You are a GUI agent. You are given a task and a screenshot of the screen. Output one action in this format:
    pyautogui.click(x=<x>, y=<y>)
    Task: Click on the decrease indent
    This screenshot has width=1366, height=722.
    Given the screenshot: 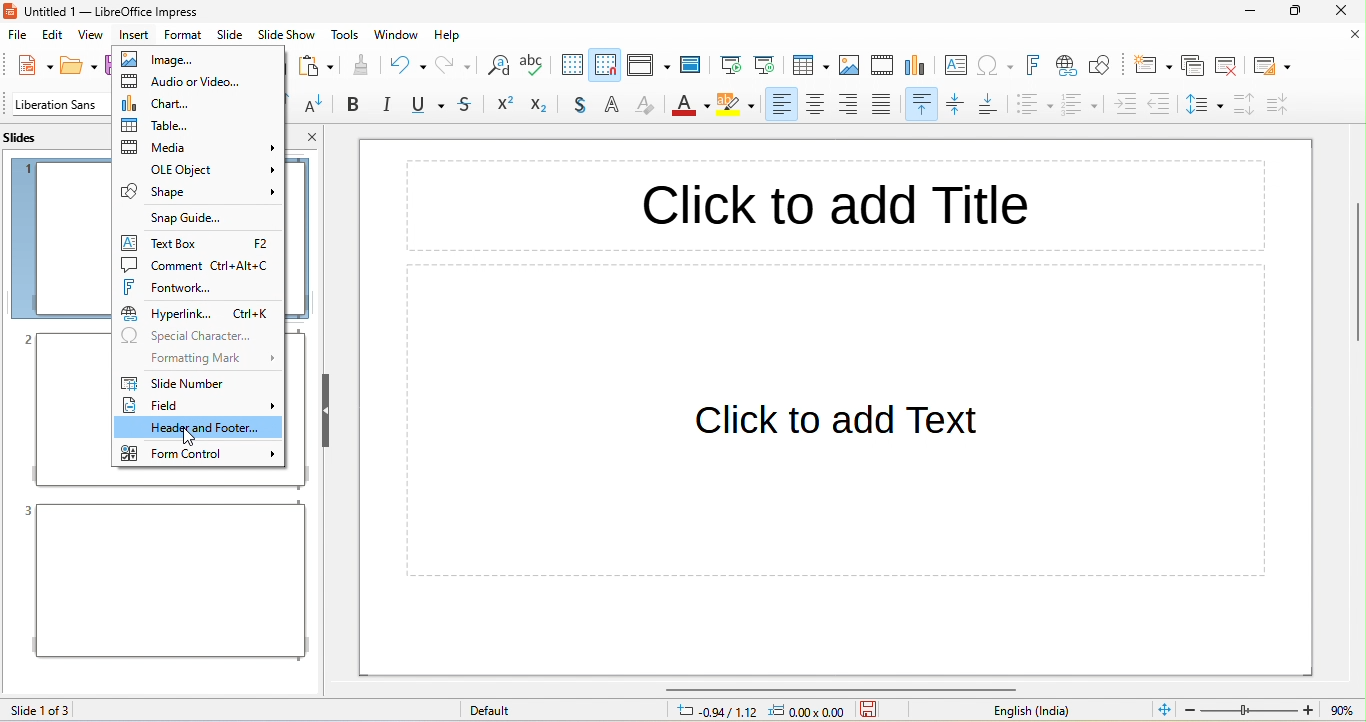 What is the action you would take?
    pyautogui.click(x=1164, y=103)
    